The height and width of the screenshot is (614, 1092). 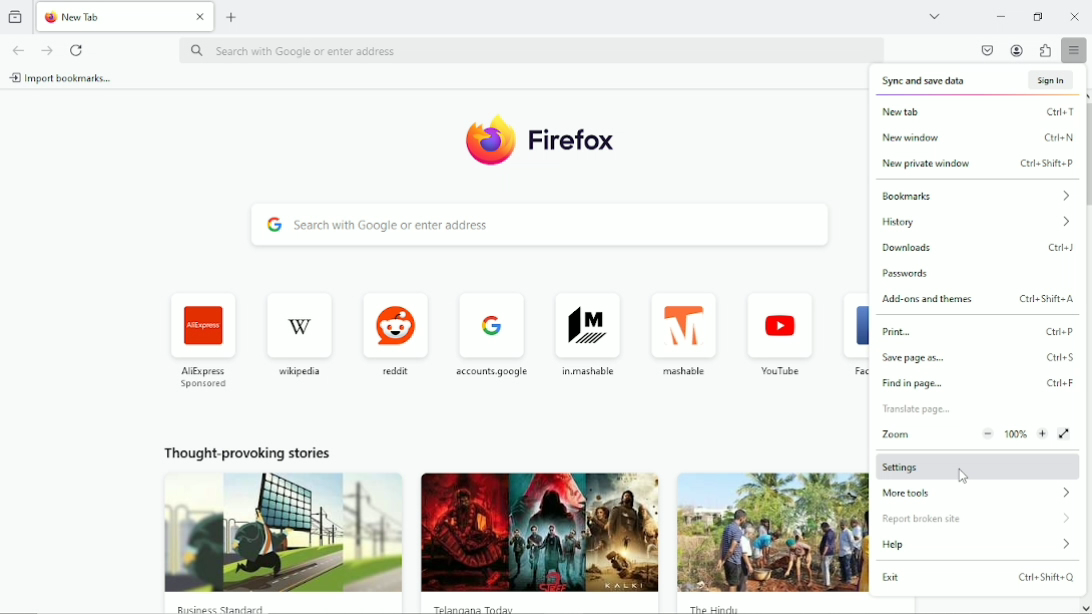 What do you see at coordinates (979, 248) in the screenshot?
I see `downloads` at bounding box center [979, 248].